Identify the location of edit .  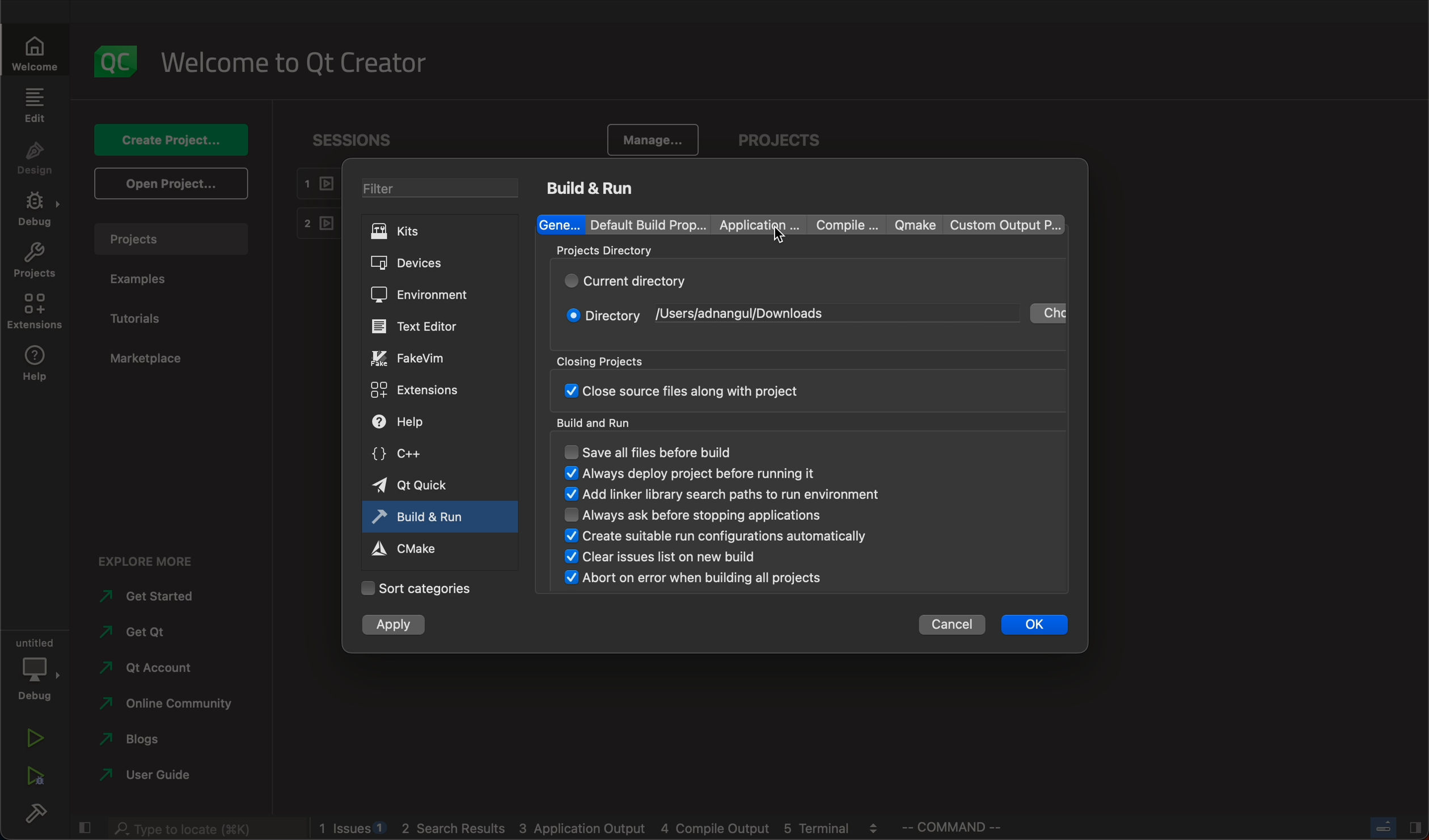
(36, 104).